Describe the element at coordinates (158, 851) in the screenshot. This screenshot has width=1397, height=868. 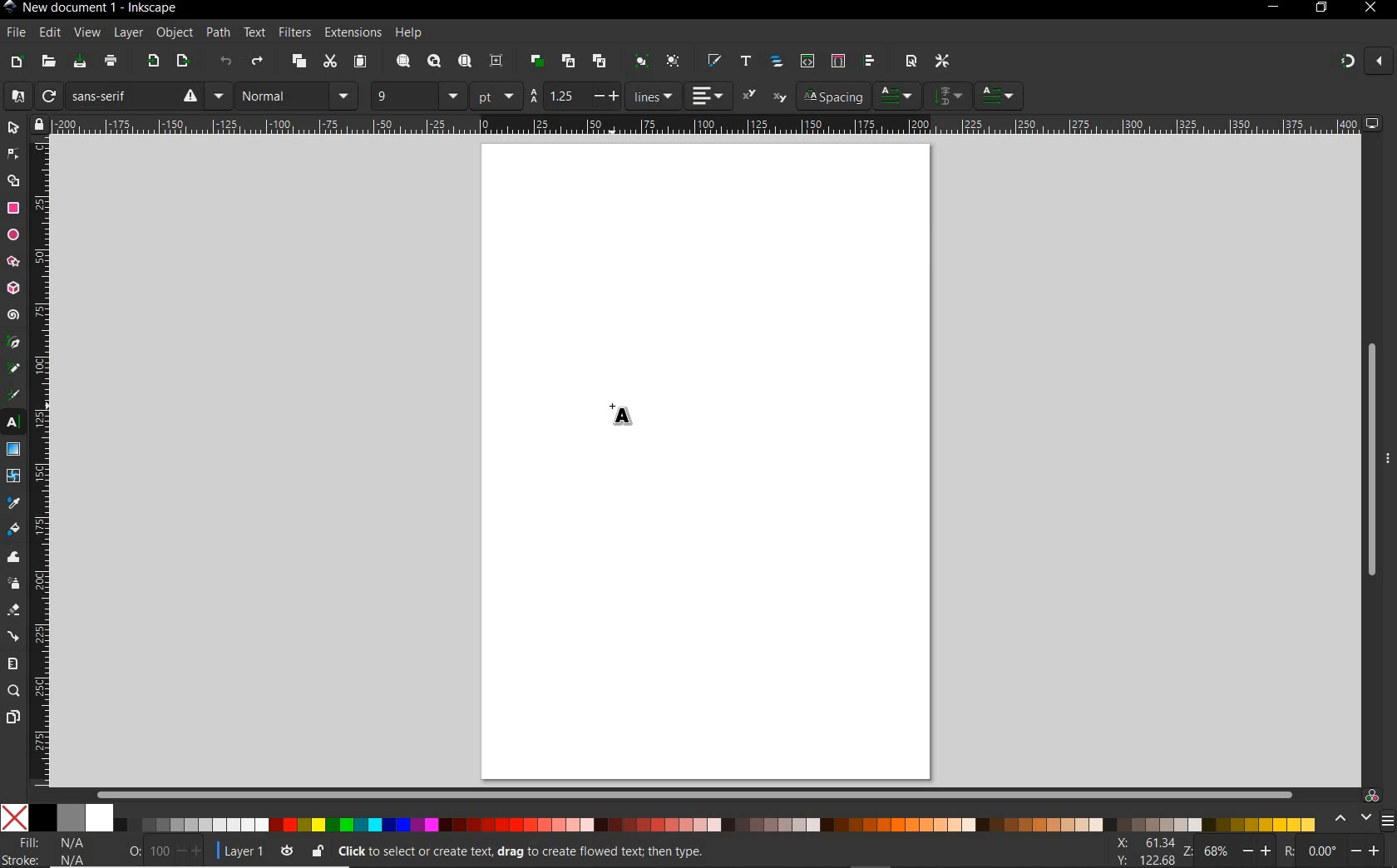
I see `100` at that location.